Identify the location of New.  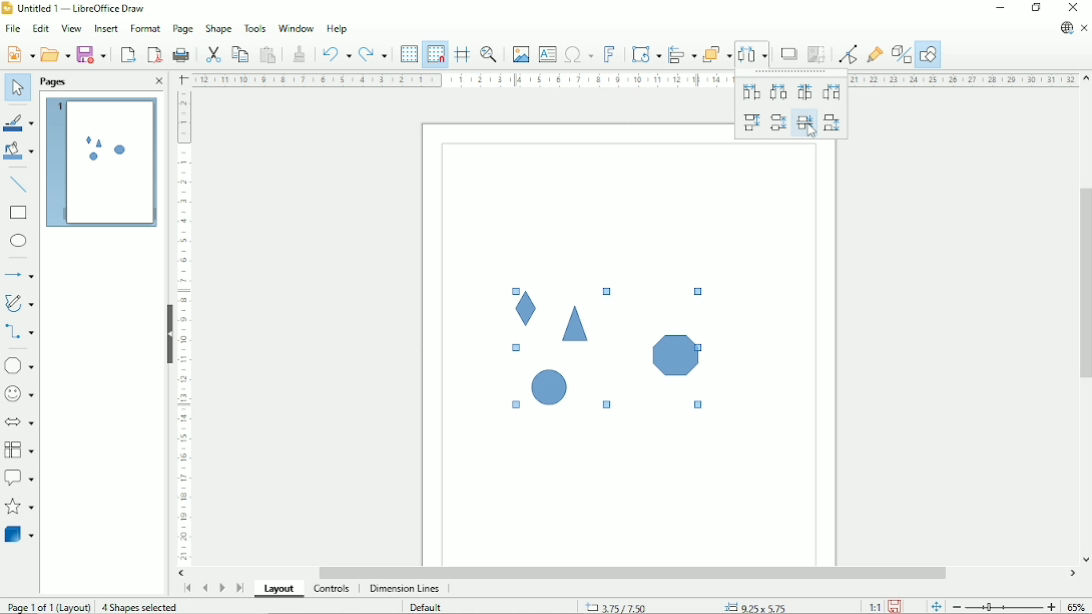
(20, 53).